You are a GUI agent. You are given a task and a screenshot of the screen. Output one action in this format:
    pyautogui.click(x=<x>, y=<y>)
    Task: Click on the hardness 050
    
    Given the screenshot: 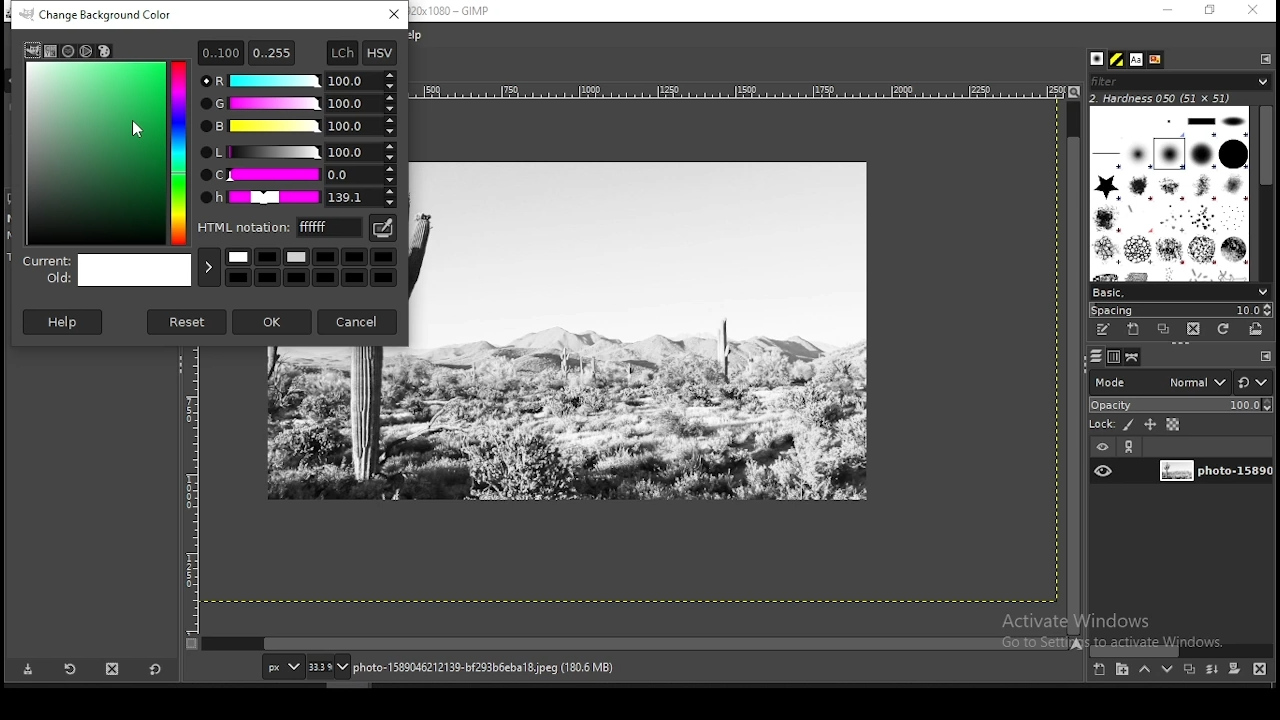 What is the action you would take?
    pyautogui.click(x=1185, y=98)
    